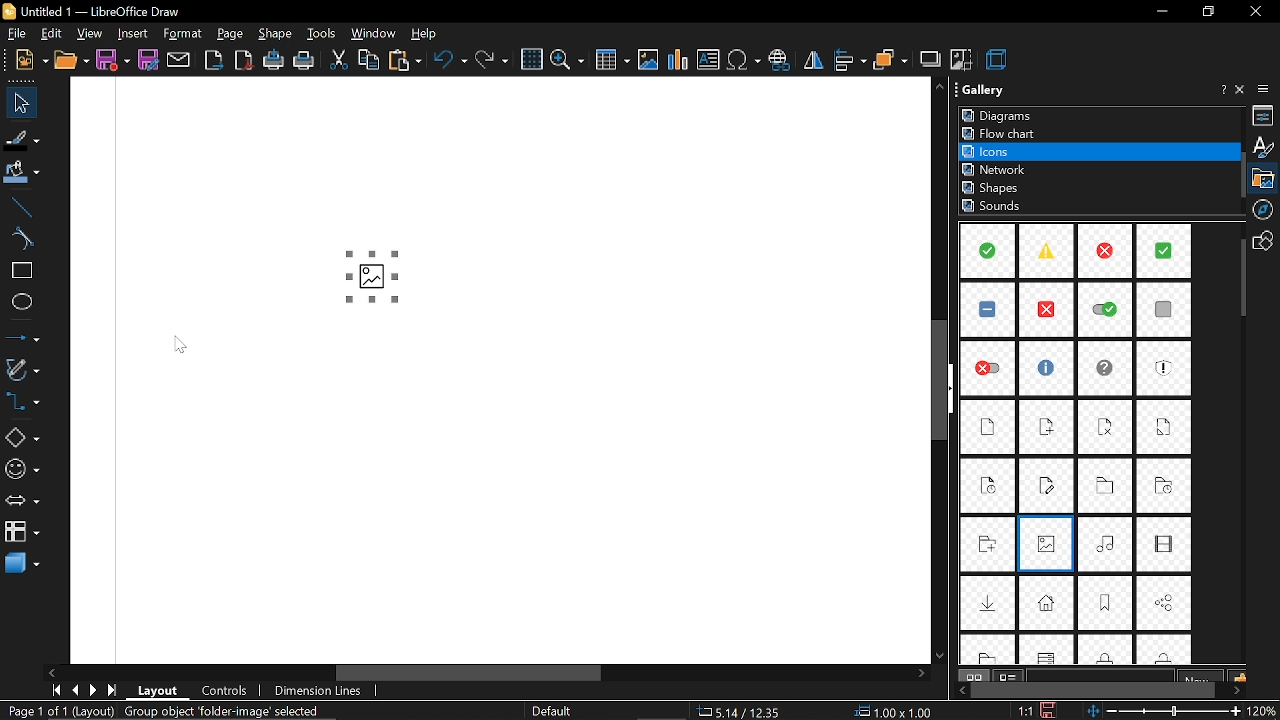 Image resolution: width=1280 pixels, height=720 pixels. What do you see at coordinates (404, 60) in the screenshot?
I see `paste` at bounding box center [404, 60].